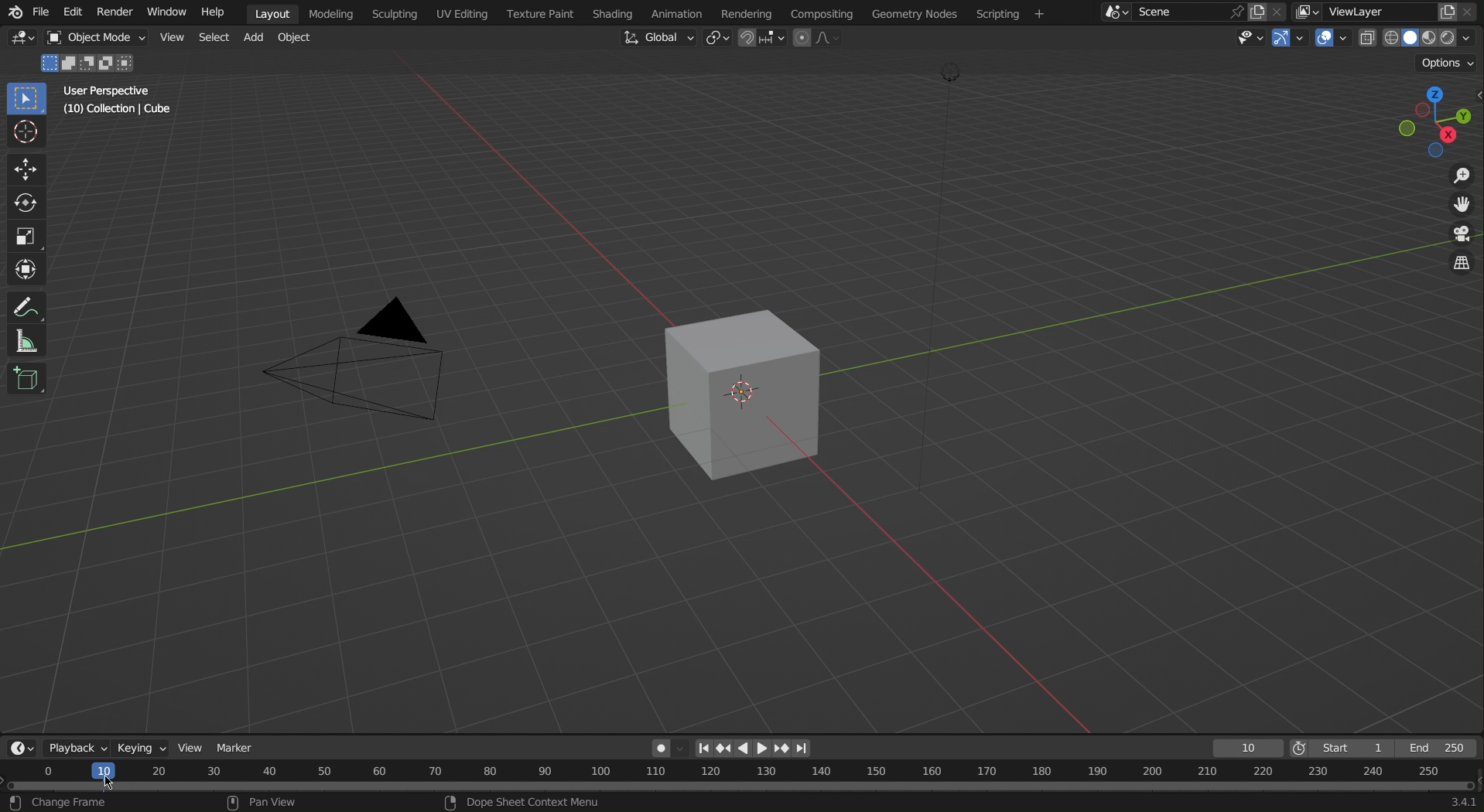 The height and width of the screenshot is (812, 1484). What do you see at coordinates (170, 36) in the screenshot?
I see `` at bounding box center [170, 36].